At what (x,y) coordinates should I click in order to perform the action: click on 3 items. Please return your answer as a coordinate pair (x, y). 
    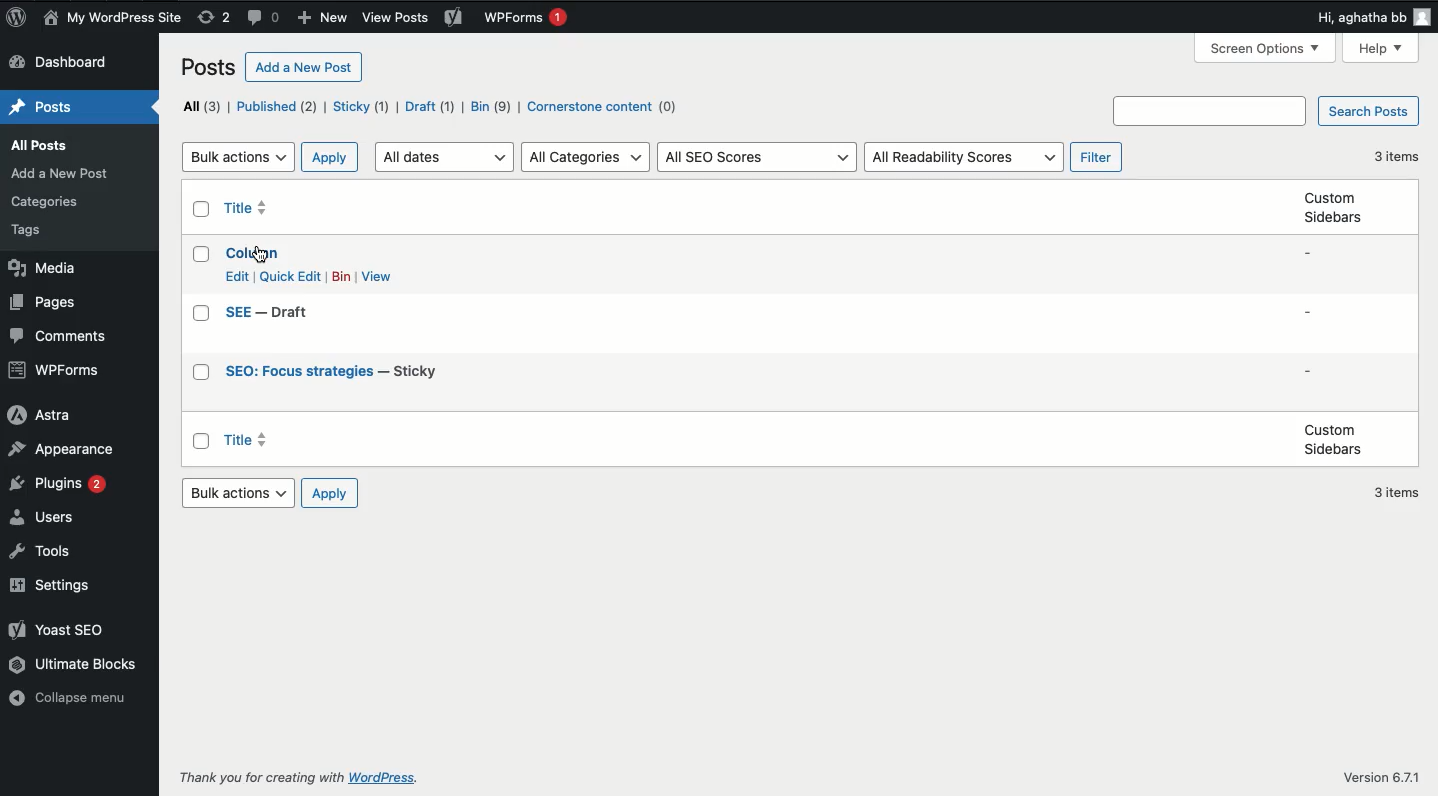
    Looking at the image, I should click on (1399, 494).